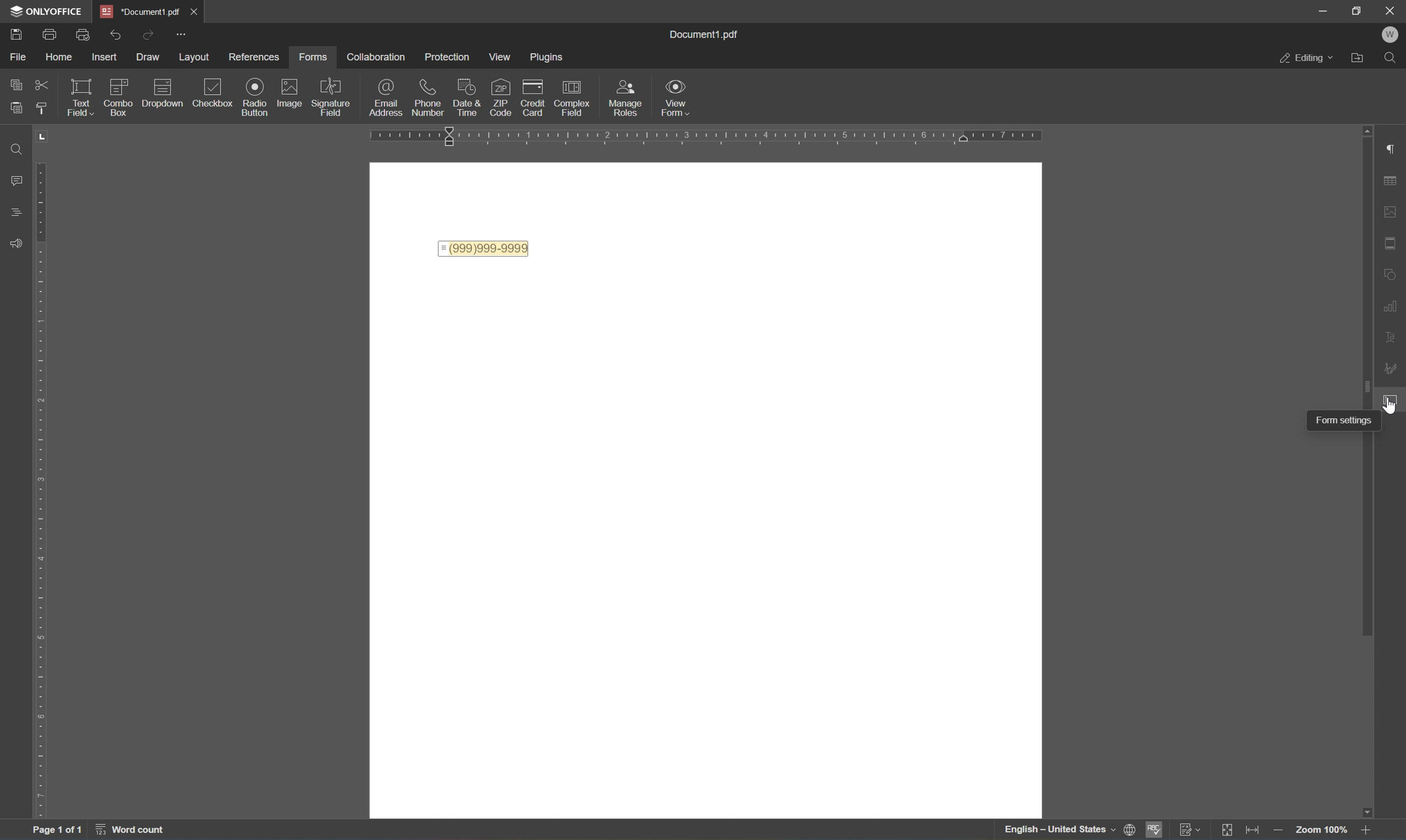 This screenshot has height=840, width=1406. Describe the element at coordinates (1390, 147) in the screenshot. I see `paragraph settings` at that location.